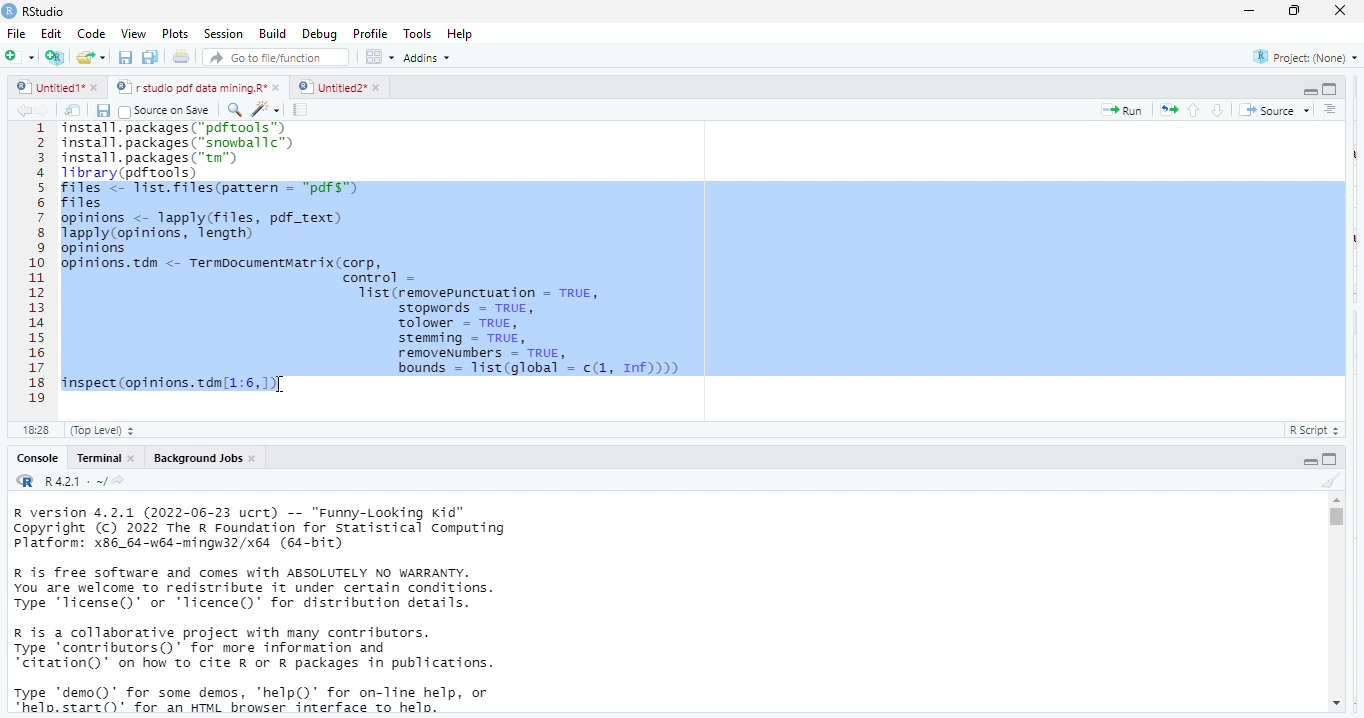 The height and width of the screenshot is (718, 1364). Describe the element at coordinates (1330, 478) in the screenshot. I see `clear console` at that location.